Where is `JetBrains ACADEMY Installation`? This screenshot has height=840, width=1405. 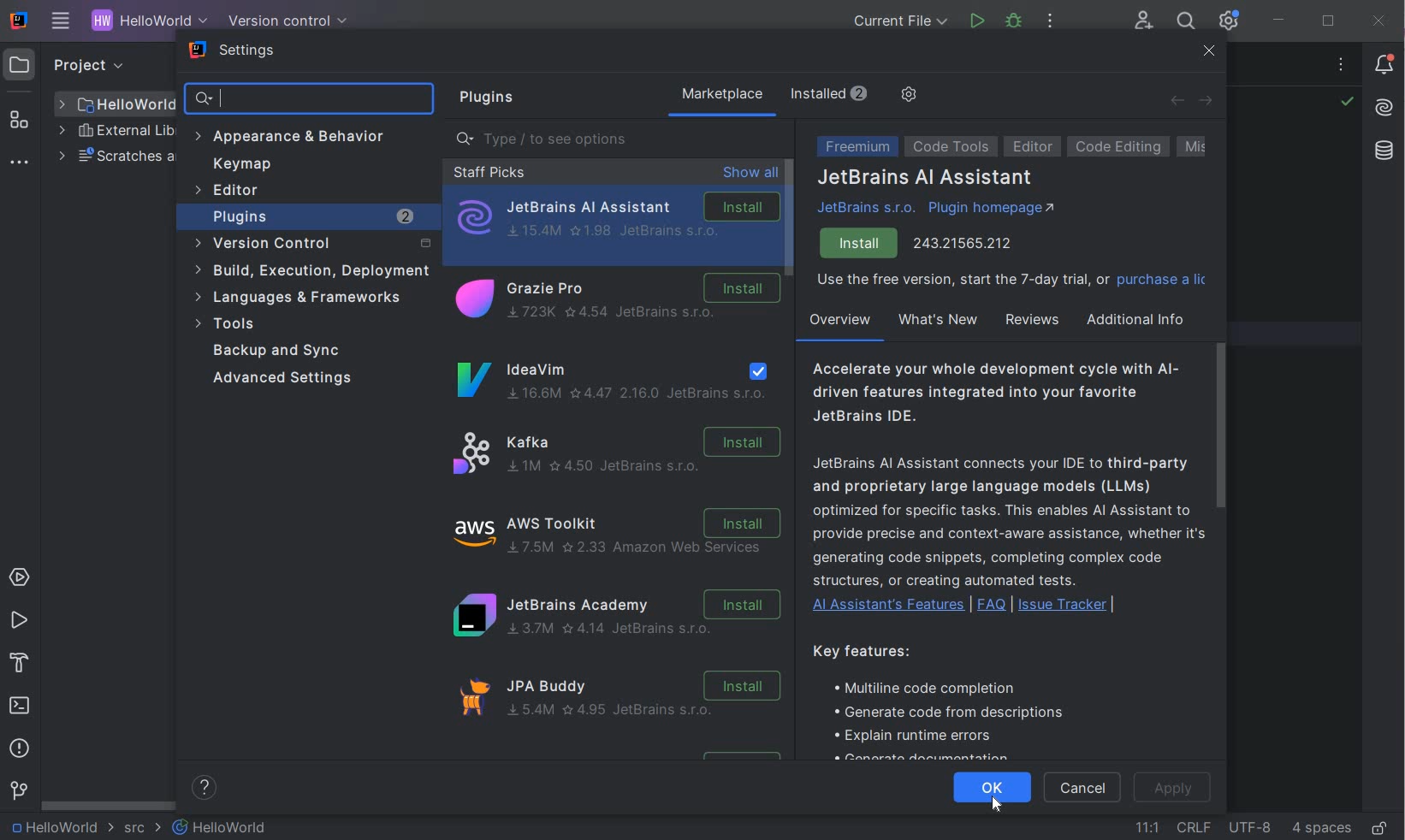 JetBrains ACADEMY Installation is located at coordinates (616, 619).